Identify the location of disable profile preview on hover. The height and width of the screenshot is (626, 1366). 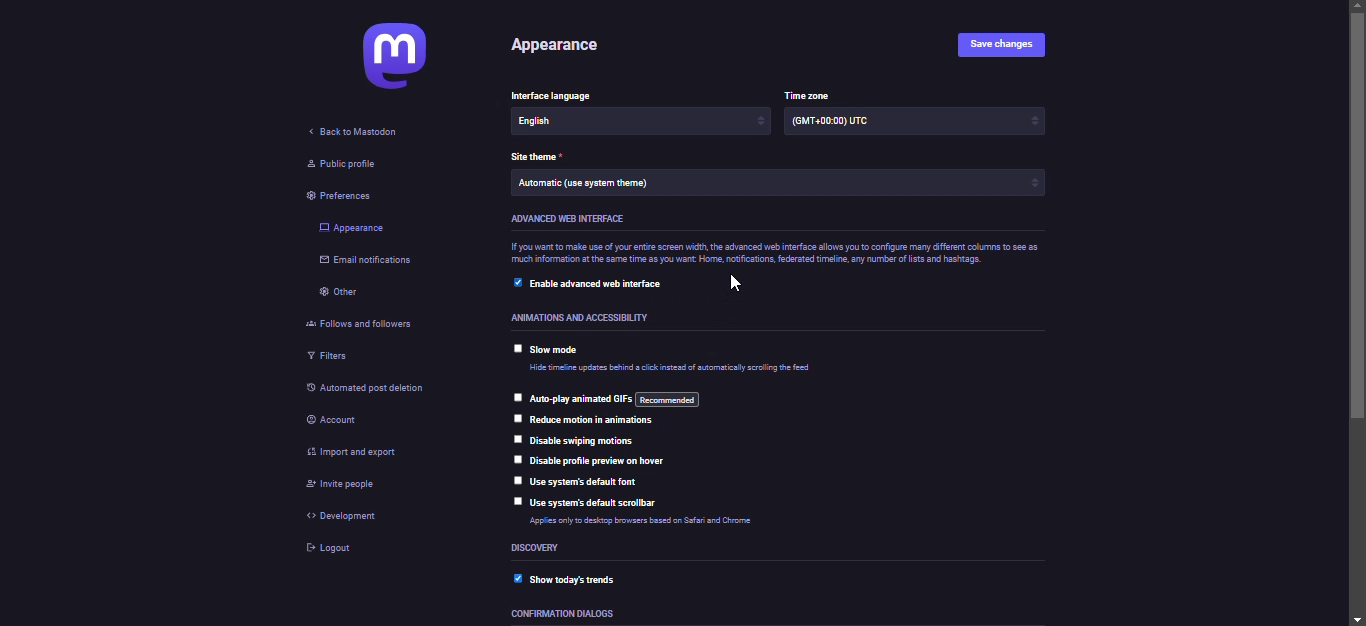
(612, 459).